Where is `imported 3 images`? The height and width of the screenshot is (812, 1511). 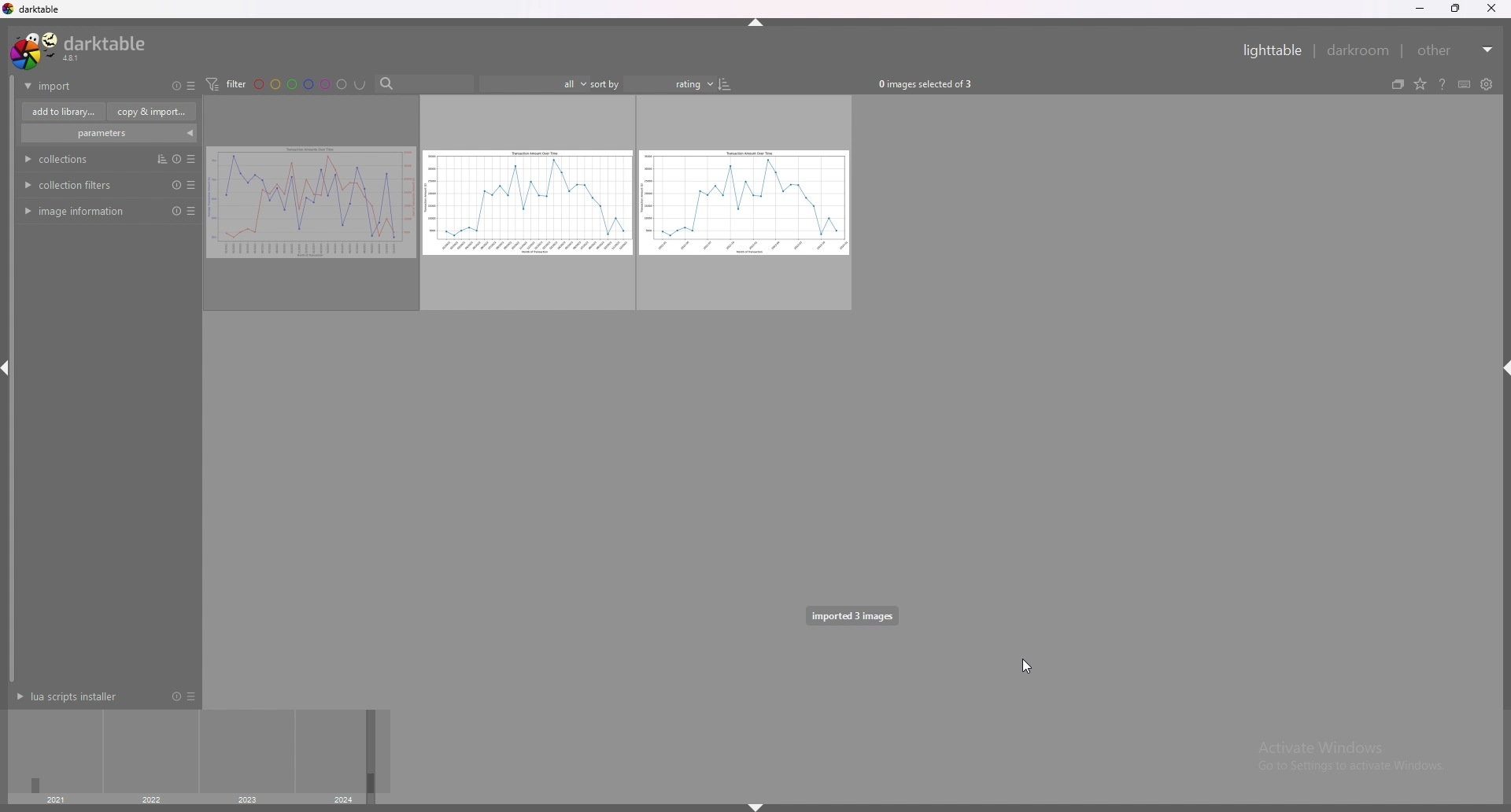
imported 3 images is located at coordinates (852, 615).